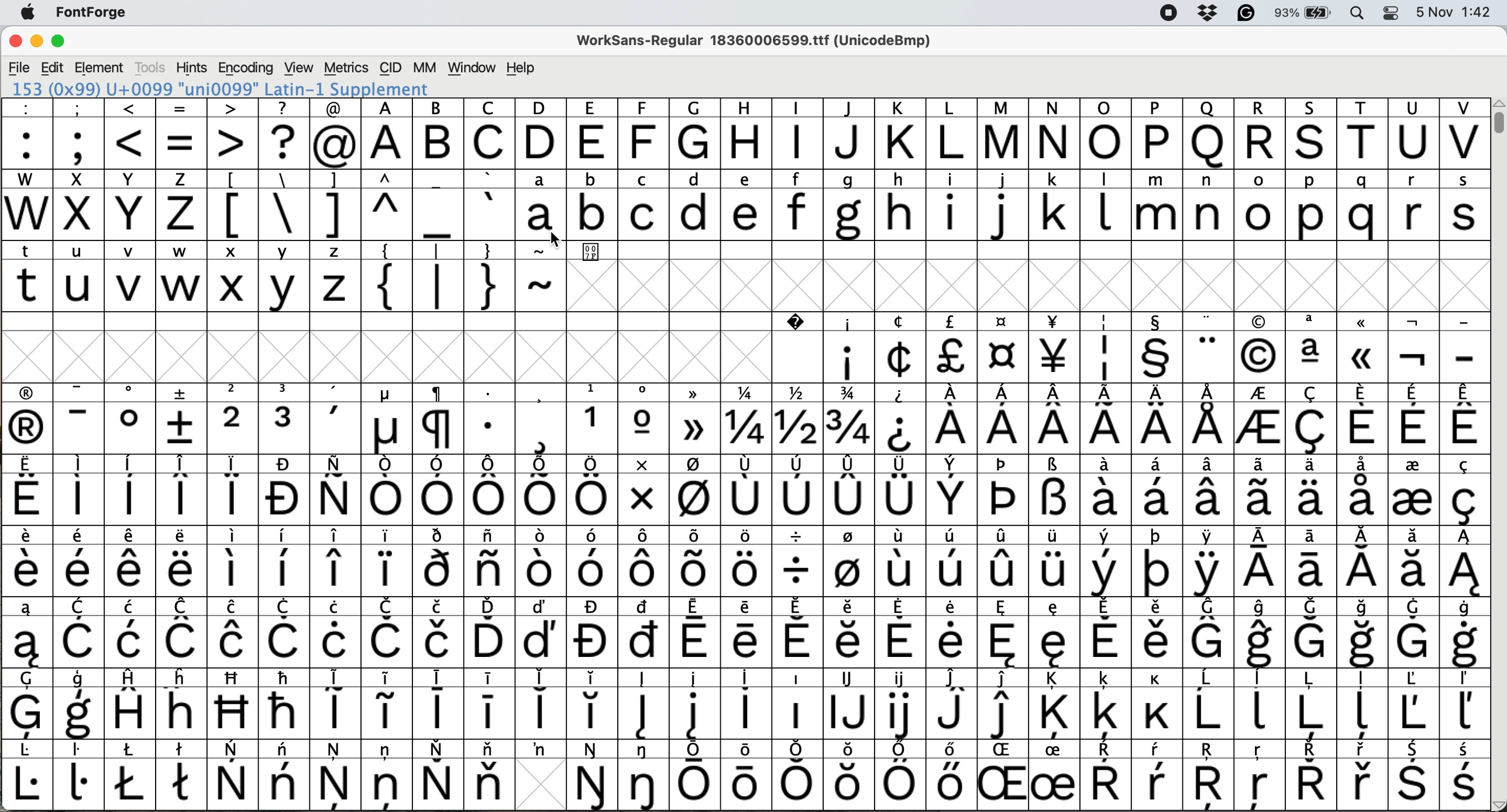  What do you see at coordinates (349, 68) in the screenshot?
I see `metrics` at bounding box center [349, 68].